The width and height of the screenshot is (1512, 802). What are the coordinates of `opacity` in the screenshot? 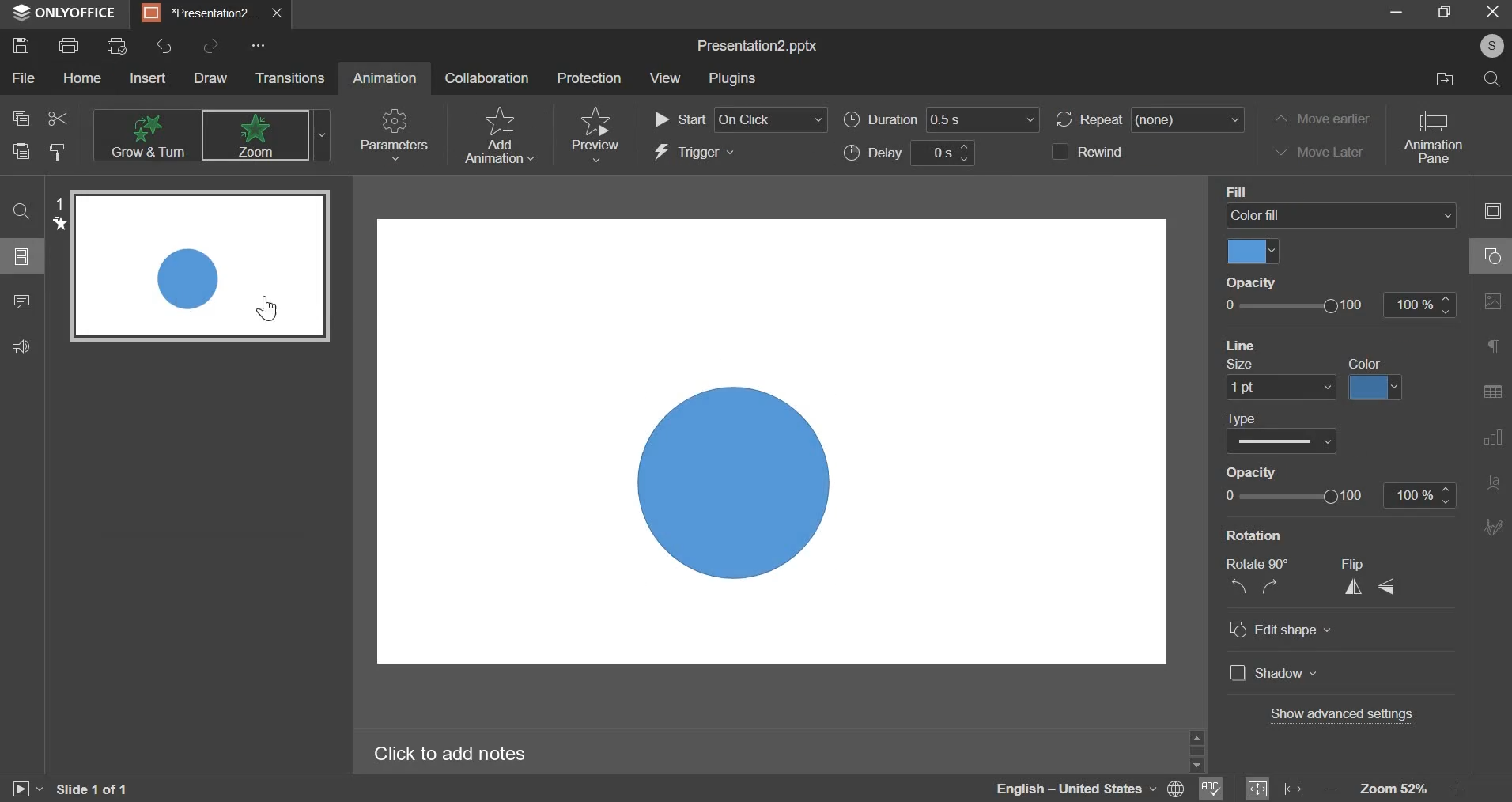 It's located at (1249, 367).